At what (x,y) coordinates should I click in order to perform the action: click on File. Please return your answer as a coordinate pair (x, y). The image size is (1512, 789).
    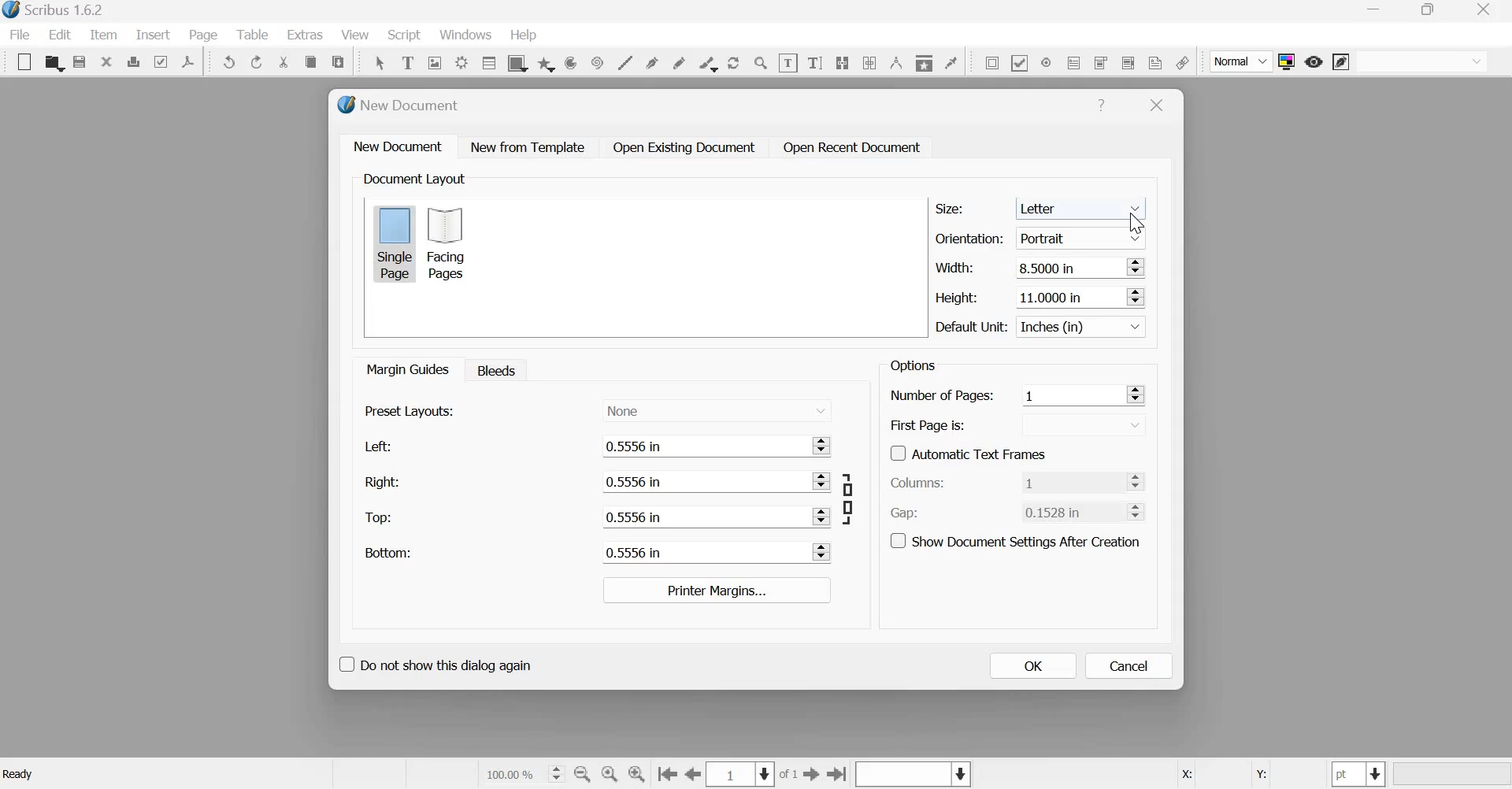
    Looking at the image, I should click on (24, 35).